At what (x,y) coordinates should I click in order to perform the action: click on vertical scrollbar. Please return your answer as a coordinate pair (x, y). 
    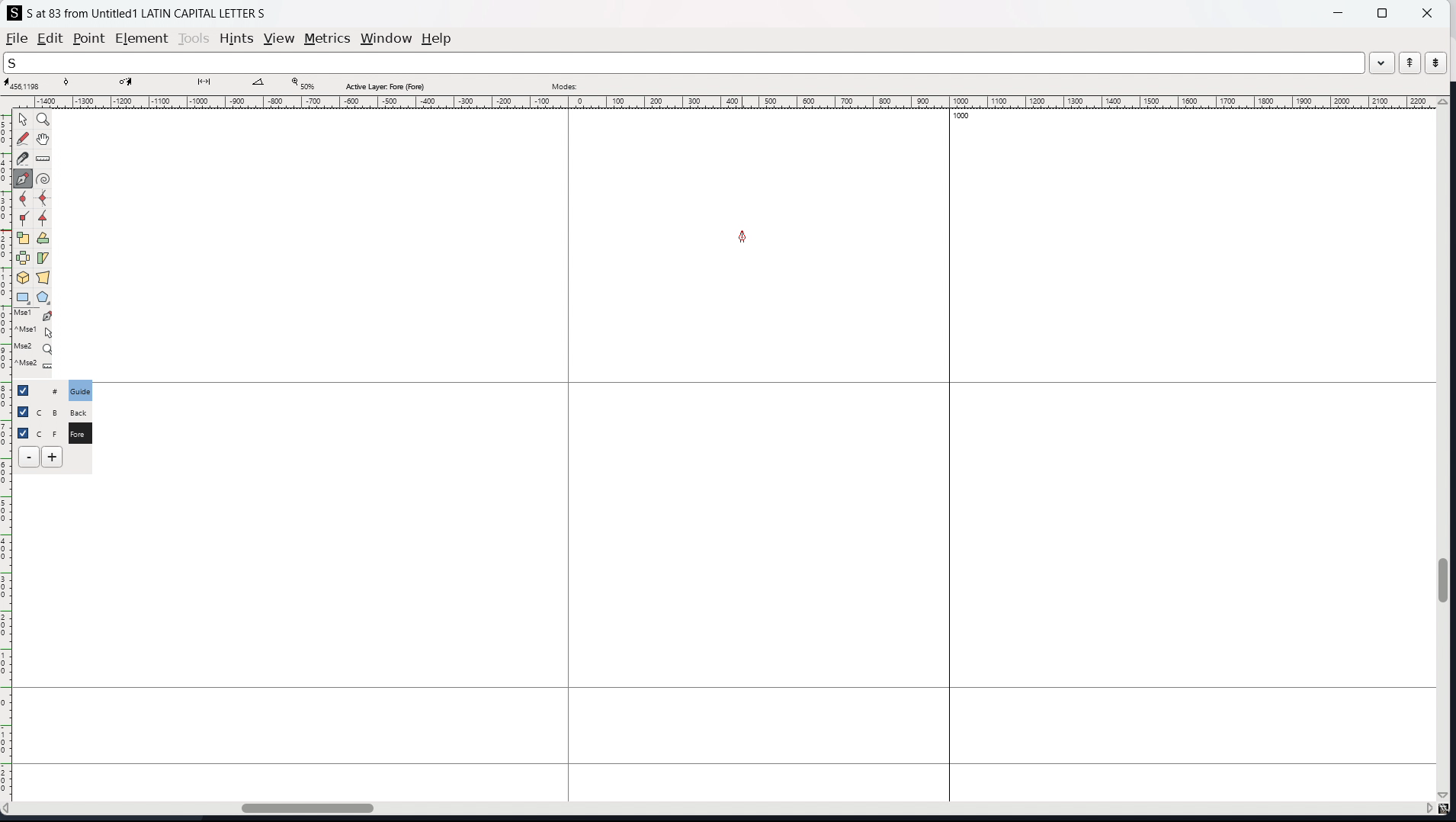
    Looking at the image, I should click on (1446, 450).